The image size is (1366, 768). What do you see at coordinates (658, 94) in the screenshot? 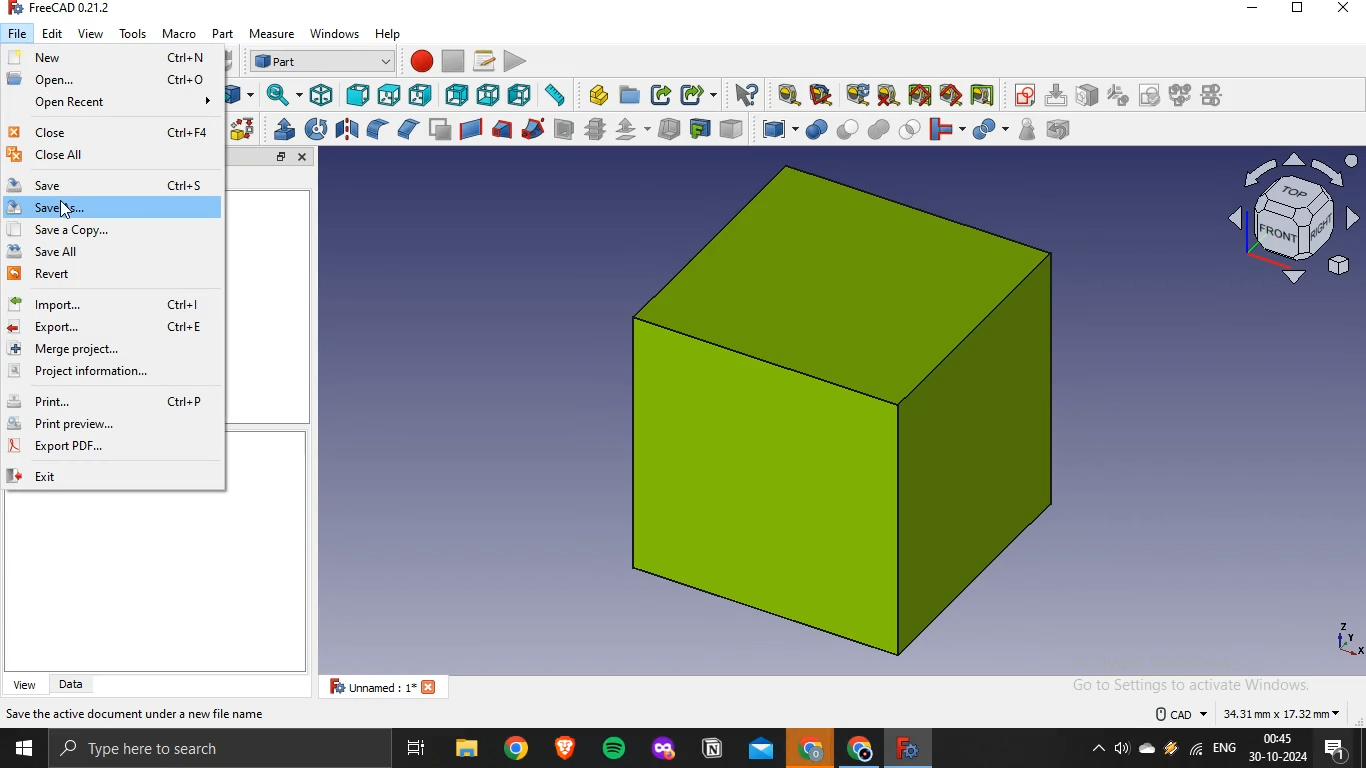
I see `make link` at bounding box center [658, 94].